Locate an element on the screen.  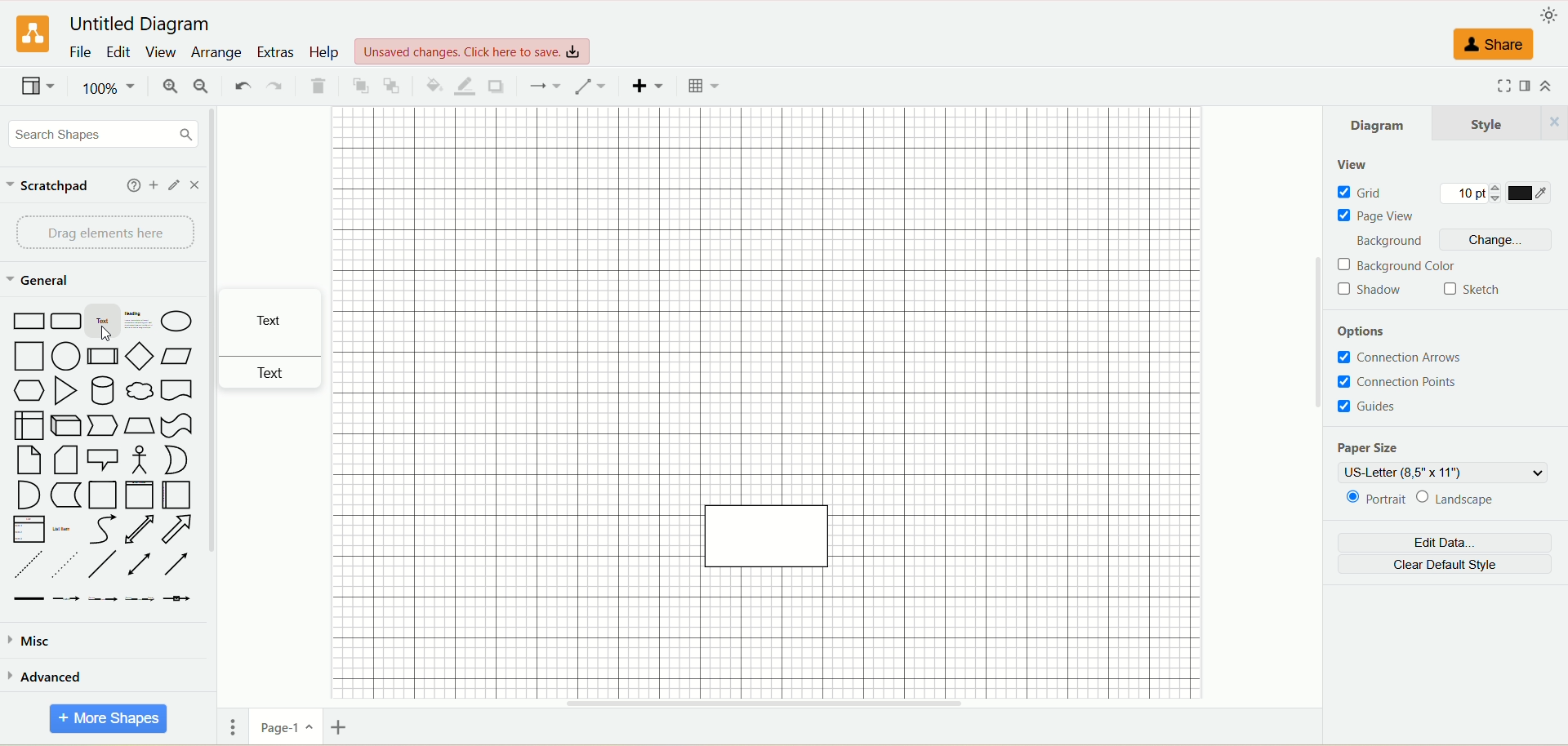
insert page is located at coordinates (337, 730).